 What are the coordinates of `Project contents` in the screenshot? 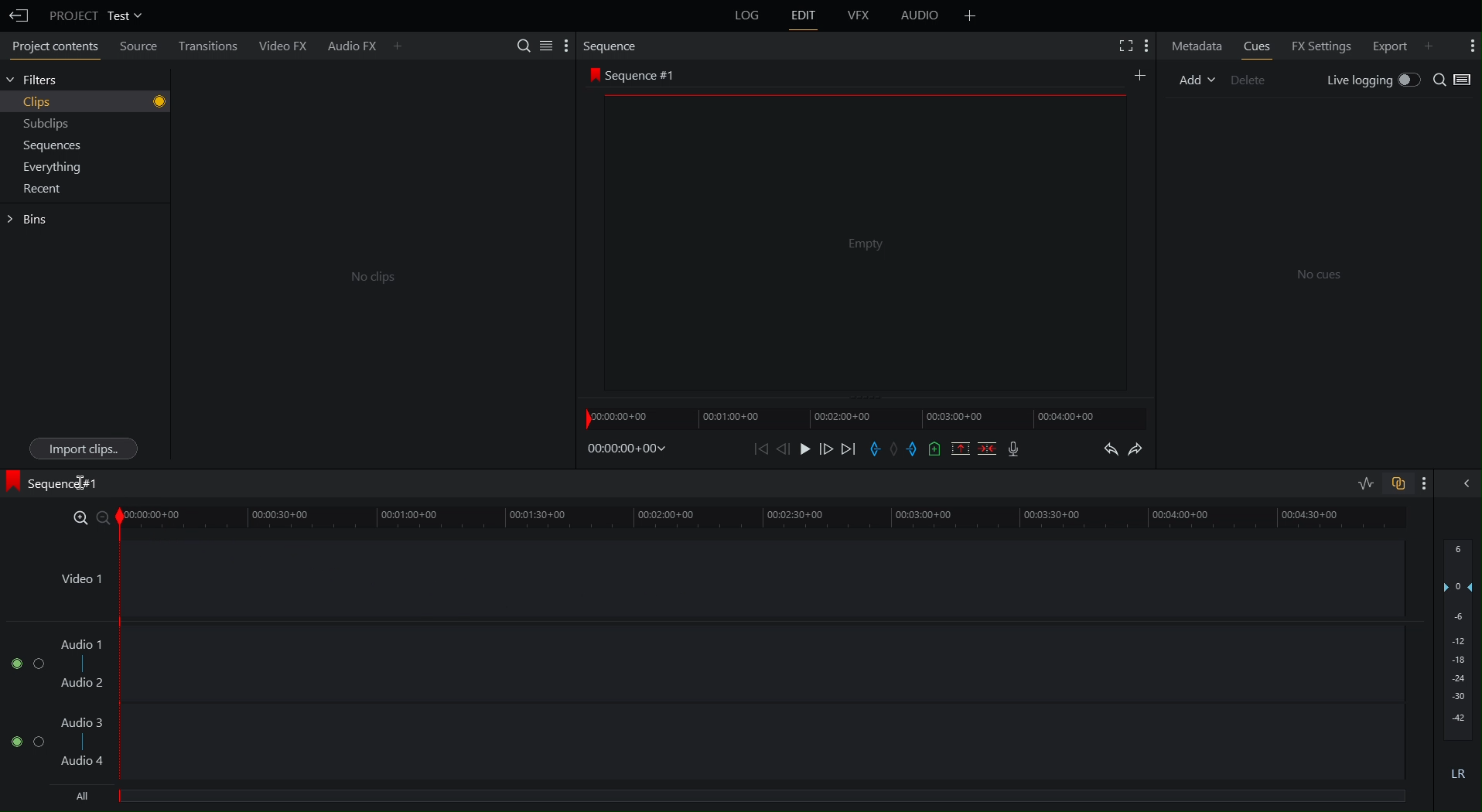 It's located at (49, 45).